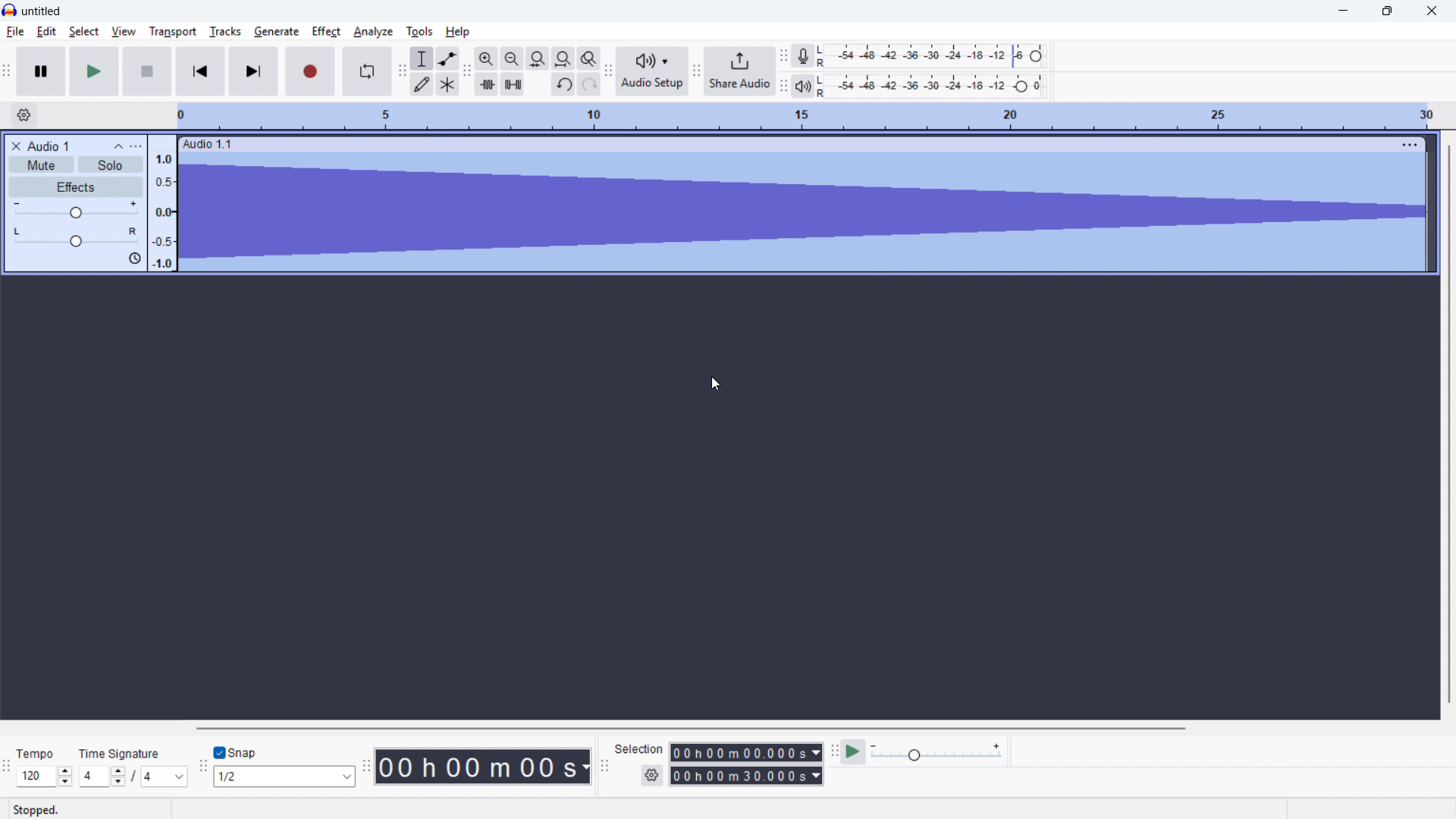 The width and height of the screenshot is (1456, 819). Describe the element at coordinates (741, 71) in the screenshot. I see `Share audio ` at that location.